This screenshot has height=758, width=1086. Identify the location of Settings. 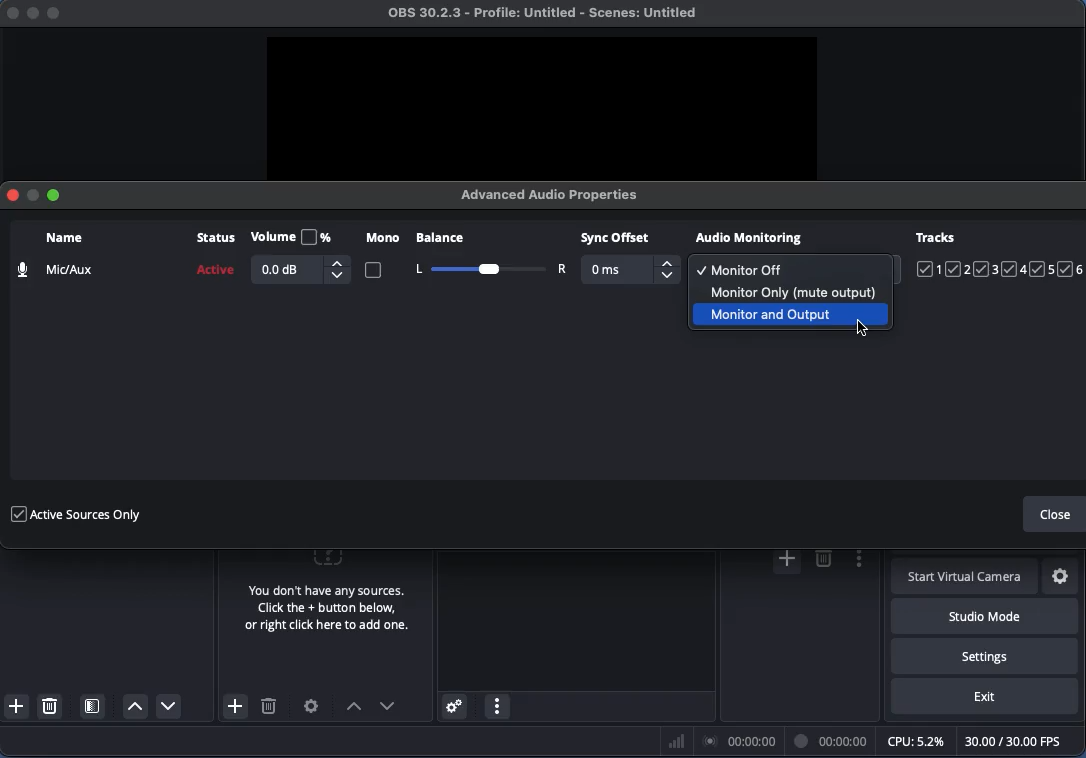
(1062, 577).